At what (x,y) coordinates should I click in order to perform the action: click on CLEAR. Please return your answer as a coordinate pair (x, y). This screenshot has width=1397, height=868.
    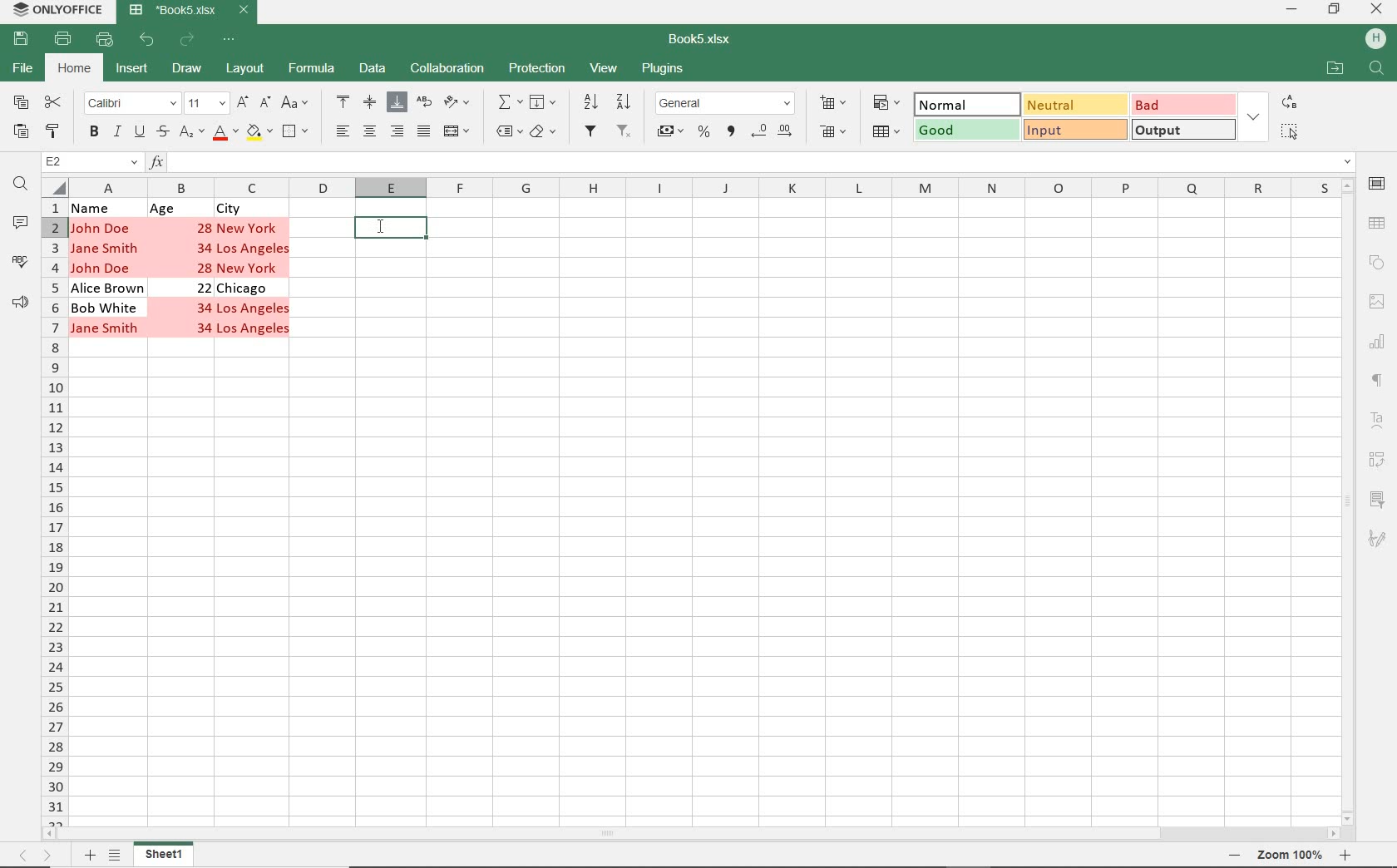
    Looking at the image, I should click on (548, 133).